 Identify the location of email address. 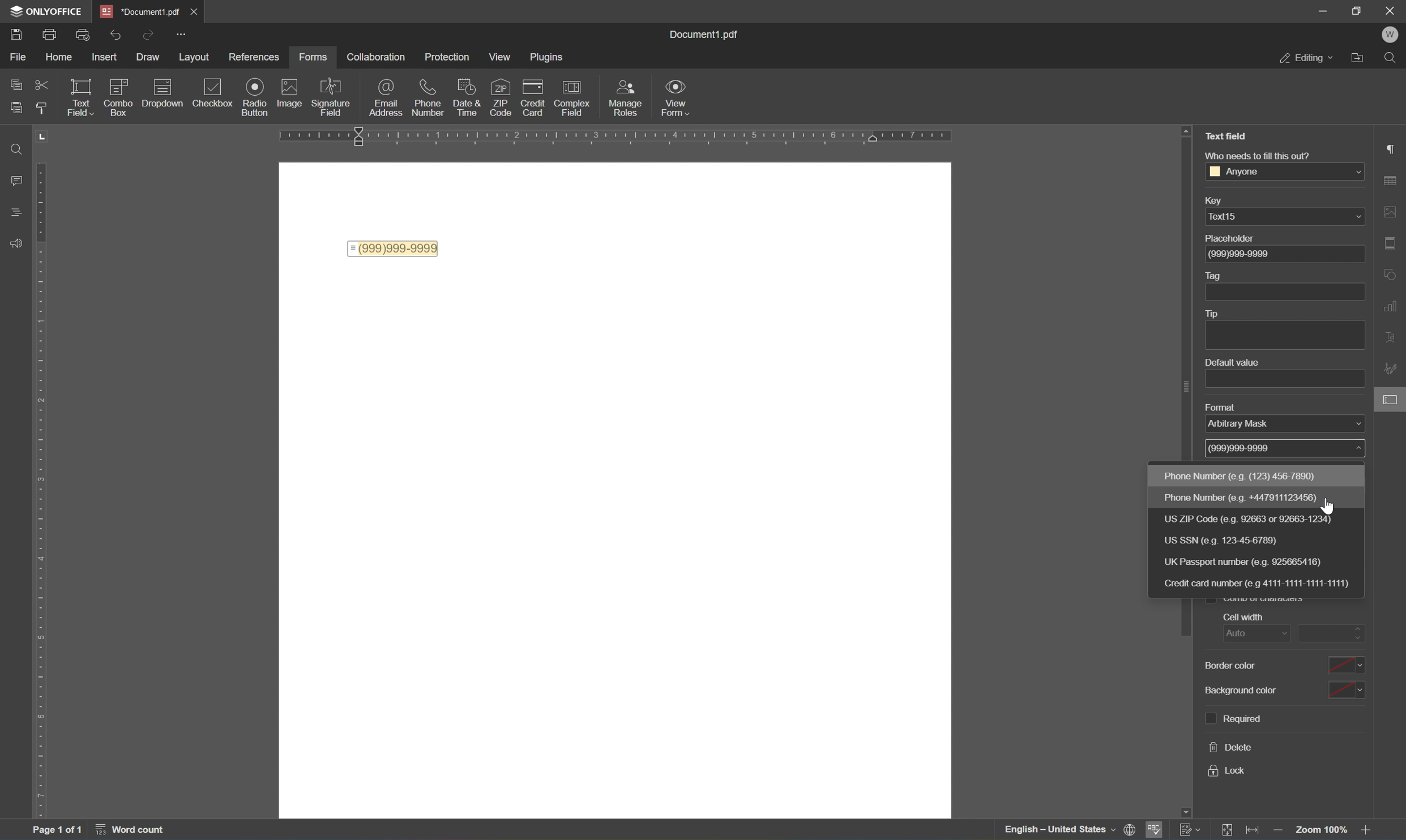
(385, 99).